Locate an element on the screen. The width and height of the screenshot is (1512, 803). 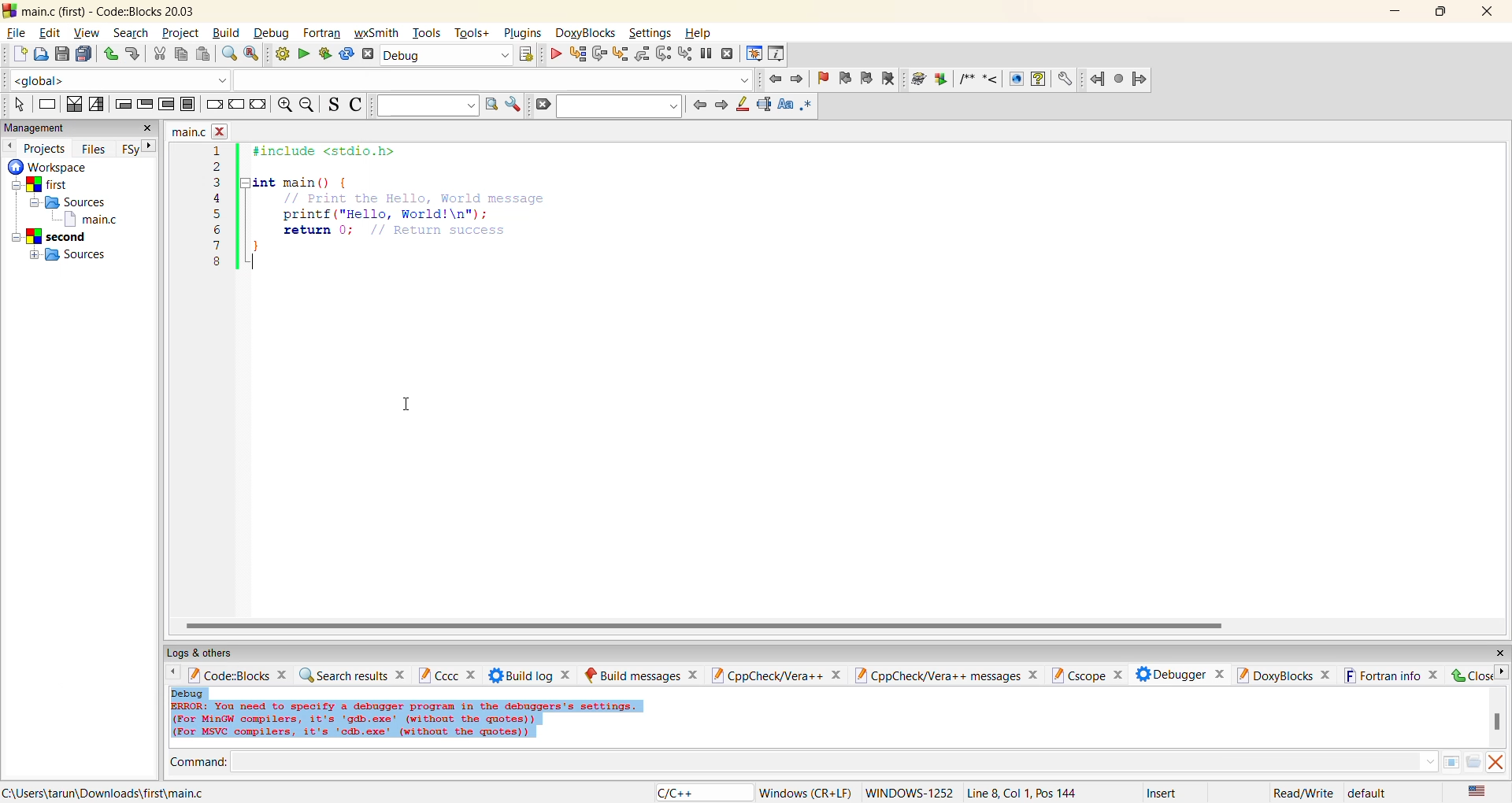
decision is located at coordinates (72, 105).